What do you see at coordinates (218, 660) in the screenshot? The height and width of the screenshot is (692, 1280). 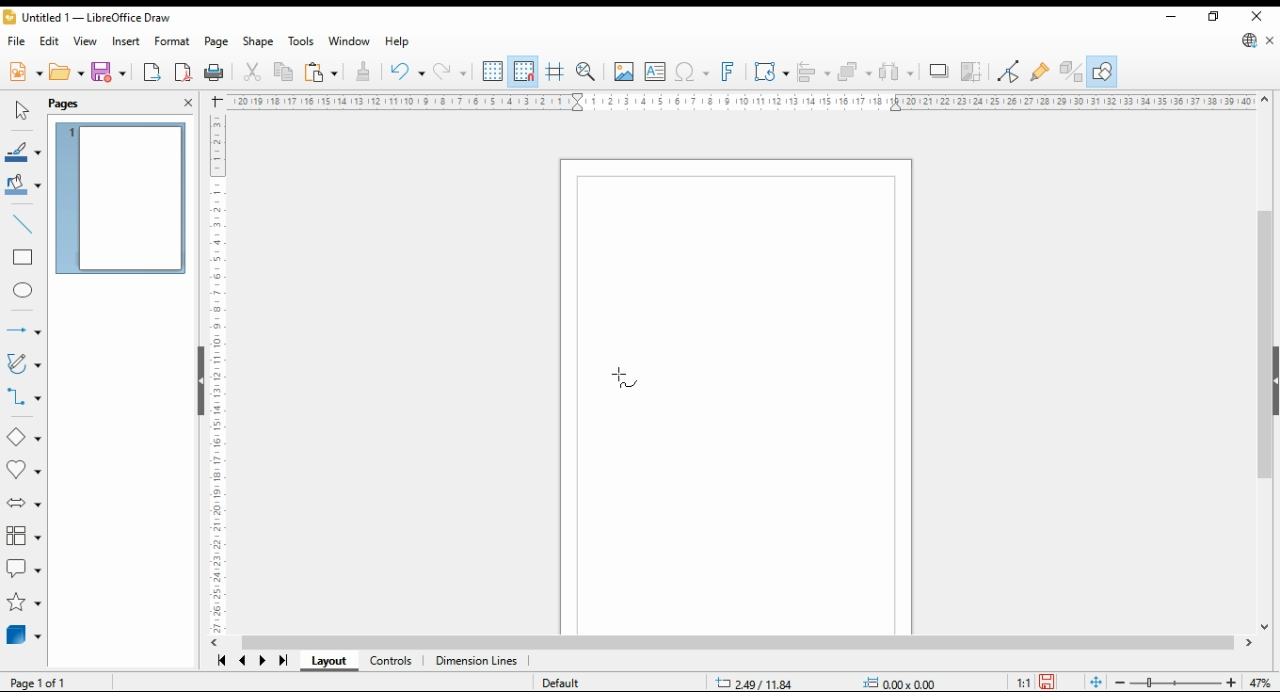 I see `first page` at bounding box center [218, 660].